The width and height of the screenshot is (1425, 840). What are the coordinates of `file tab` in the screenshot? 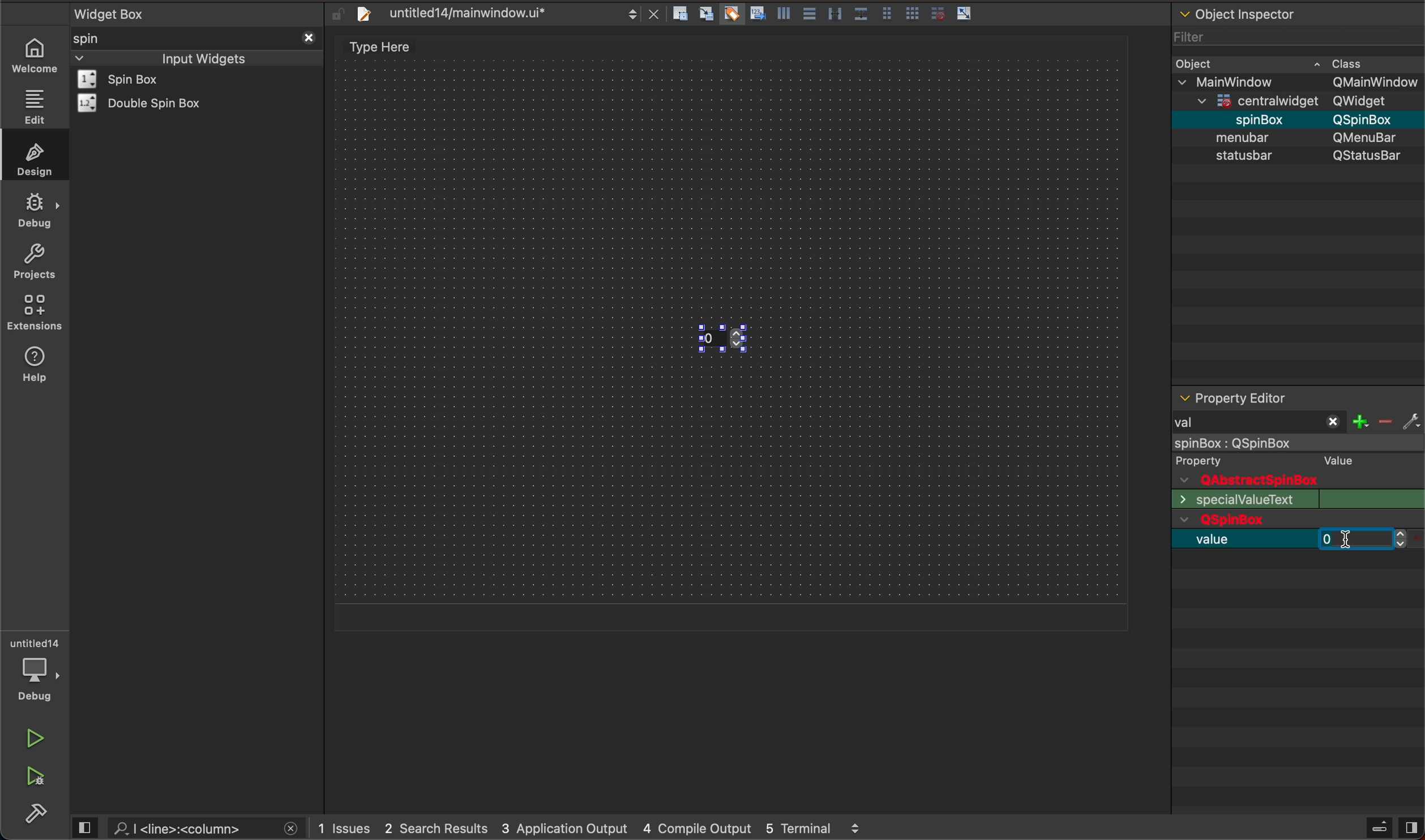 It's located at (495, 13).